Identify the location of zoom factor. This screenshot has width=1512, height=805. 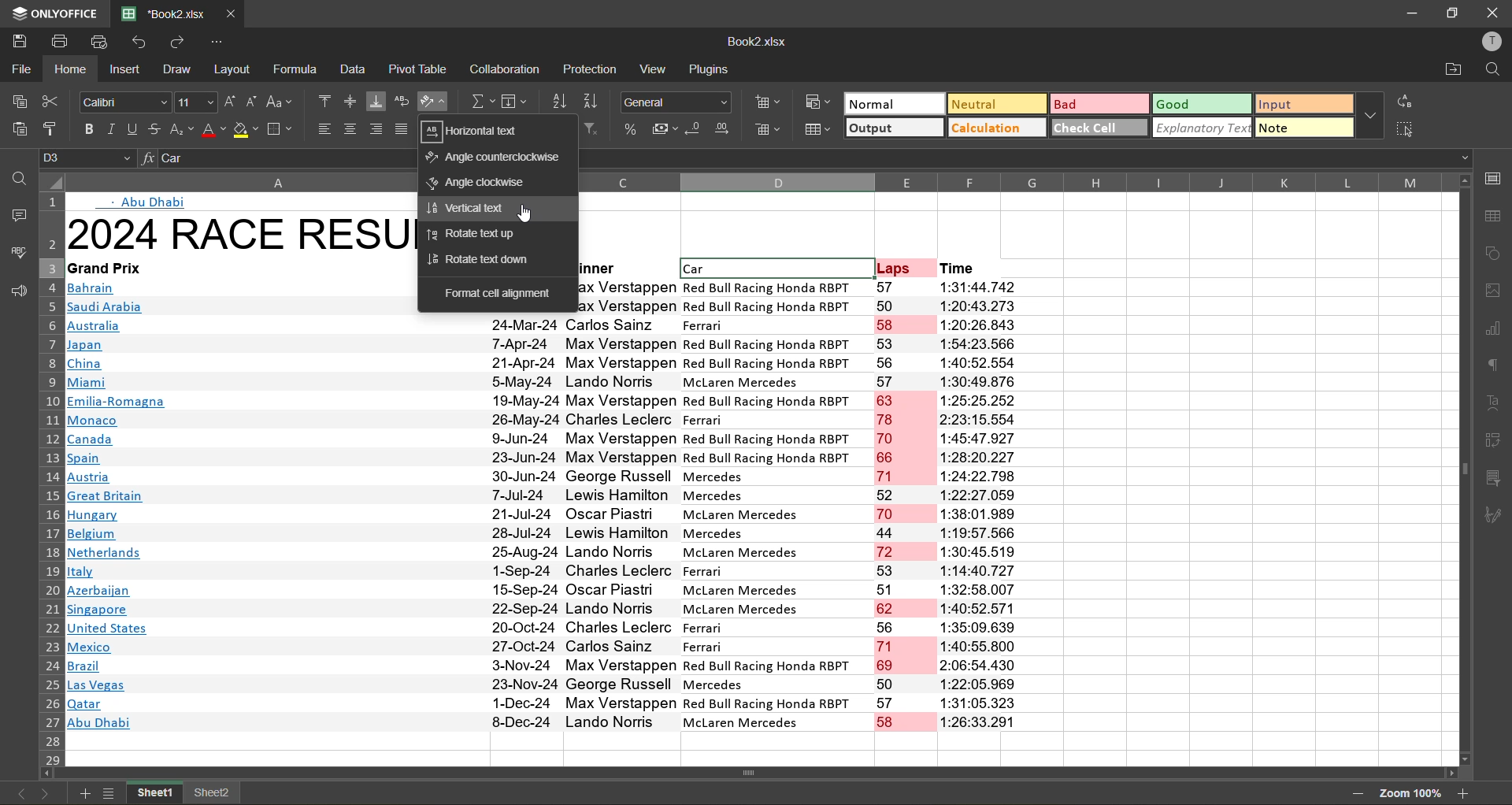
(1414, 793).